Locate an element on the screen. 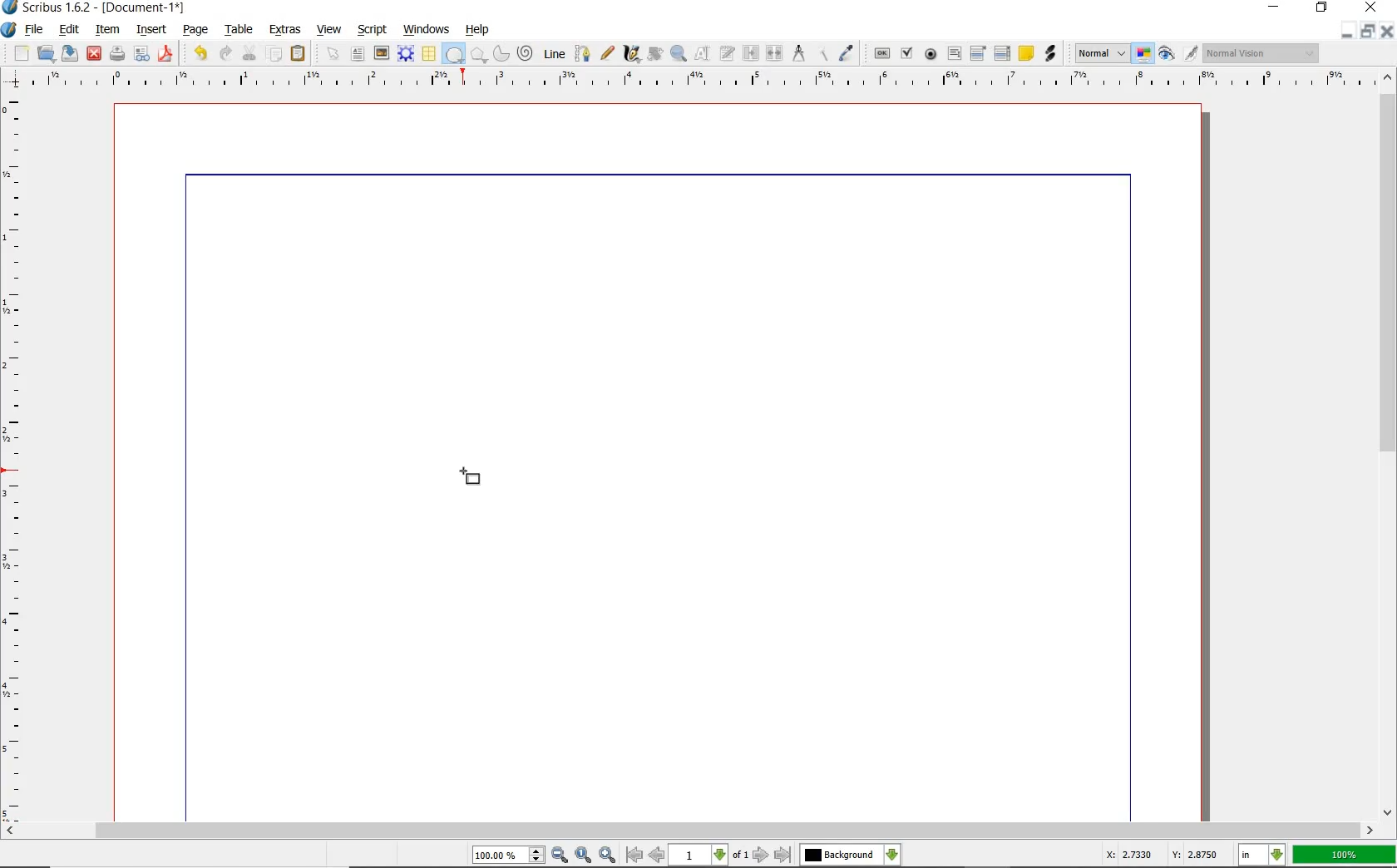  last is located at coordinates (782, 856).